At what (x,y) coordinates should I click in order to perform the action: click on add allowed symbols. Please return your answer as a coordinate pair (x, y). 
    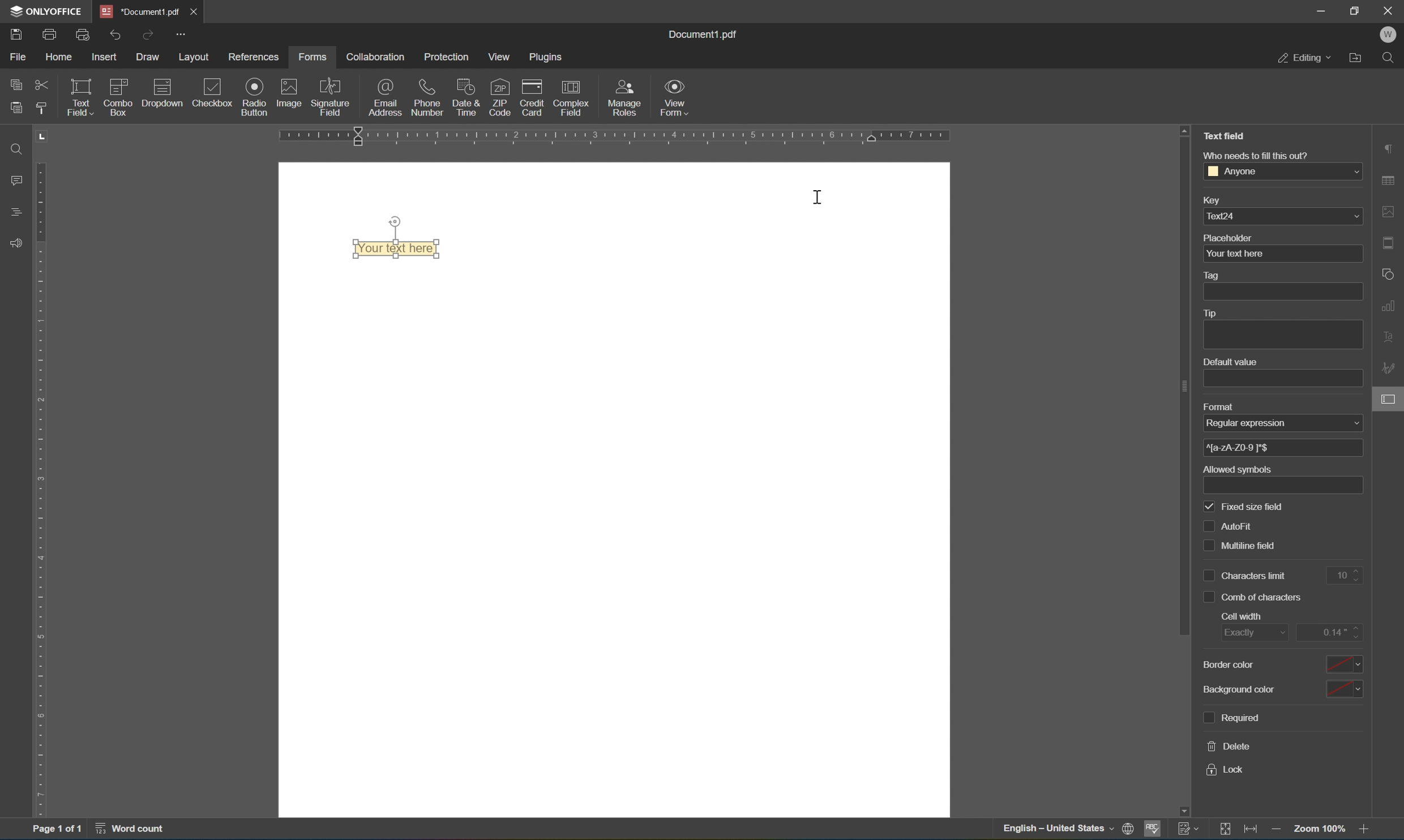
    Looking at the image, I should click on (1285, 486).